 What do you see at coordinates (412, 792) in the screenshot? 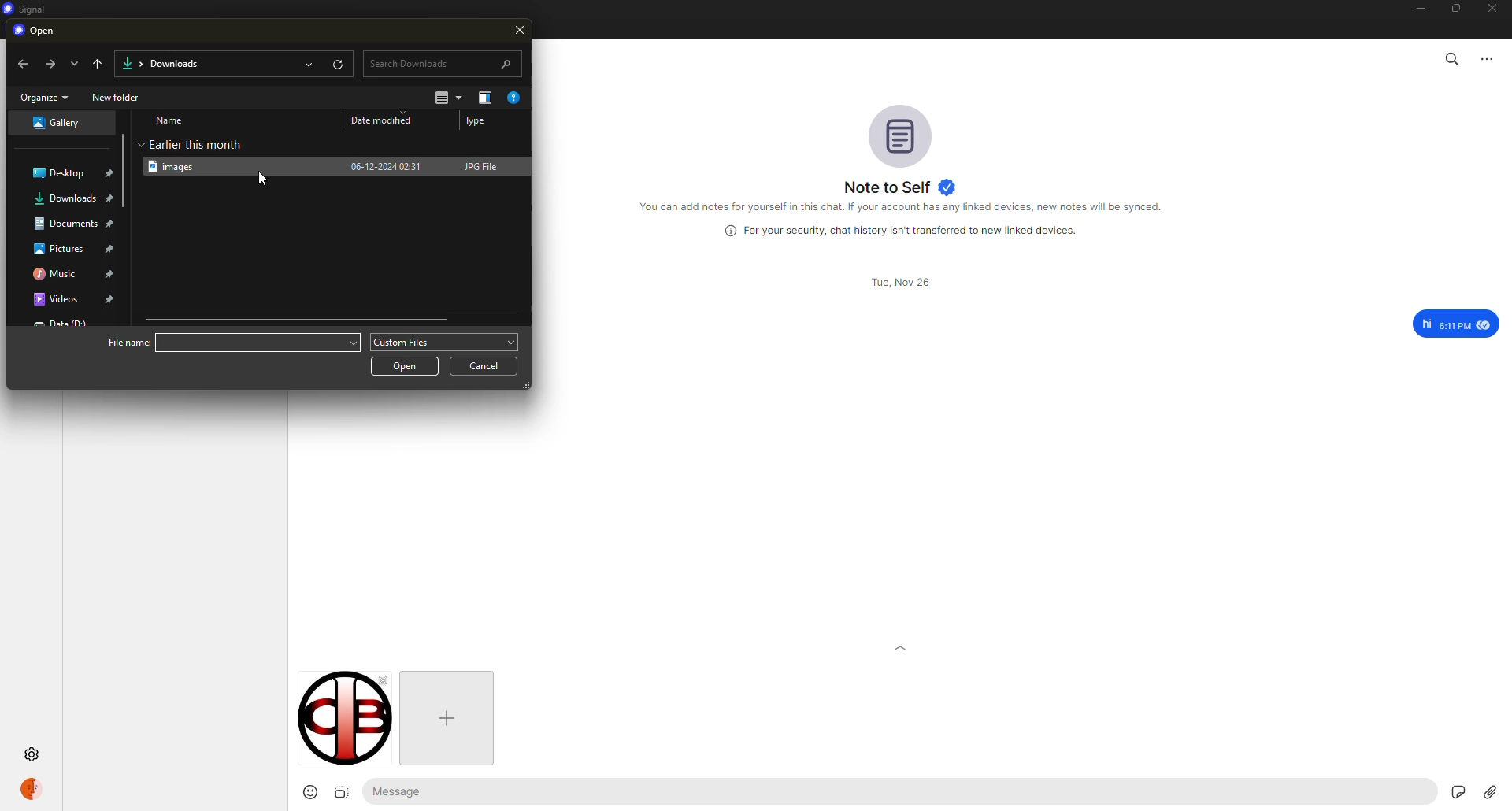
I see `message` at bounding box center [412, 792].